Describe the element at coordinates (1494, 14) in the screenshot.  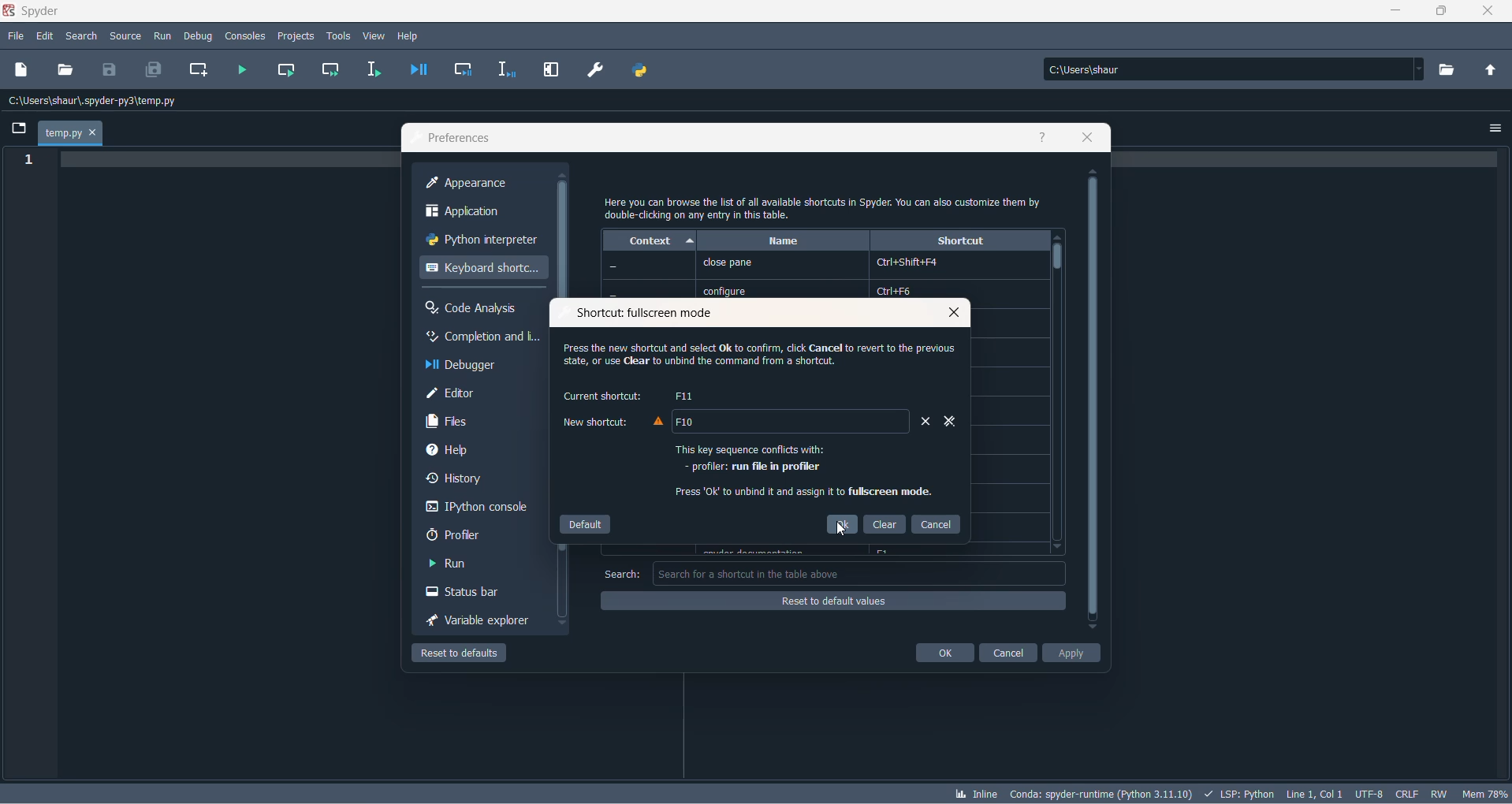
I see `close` at that location.